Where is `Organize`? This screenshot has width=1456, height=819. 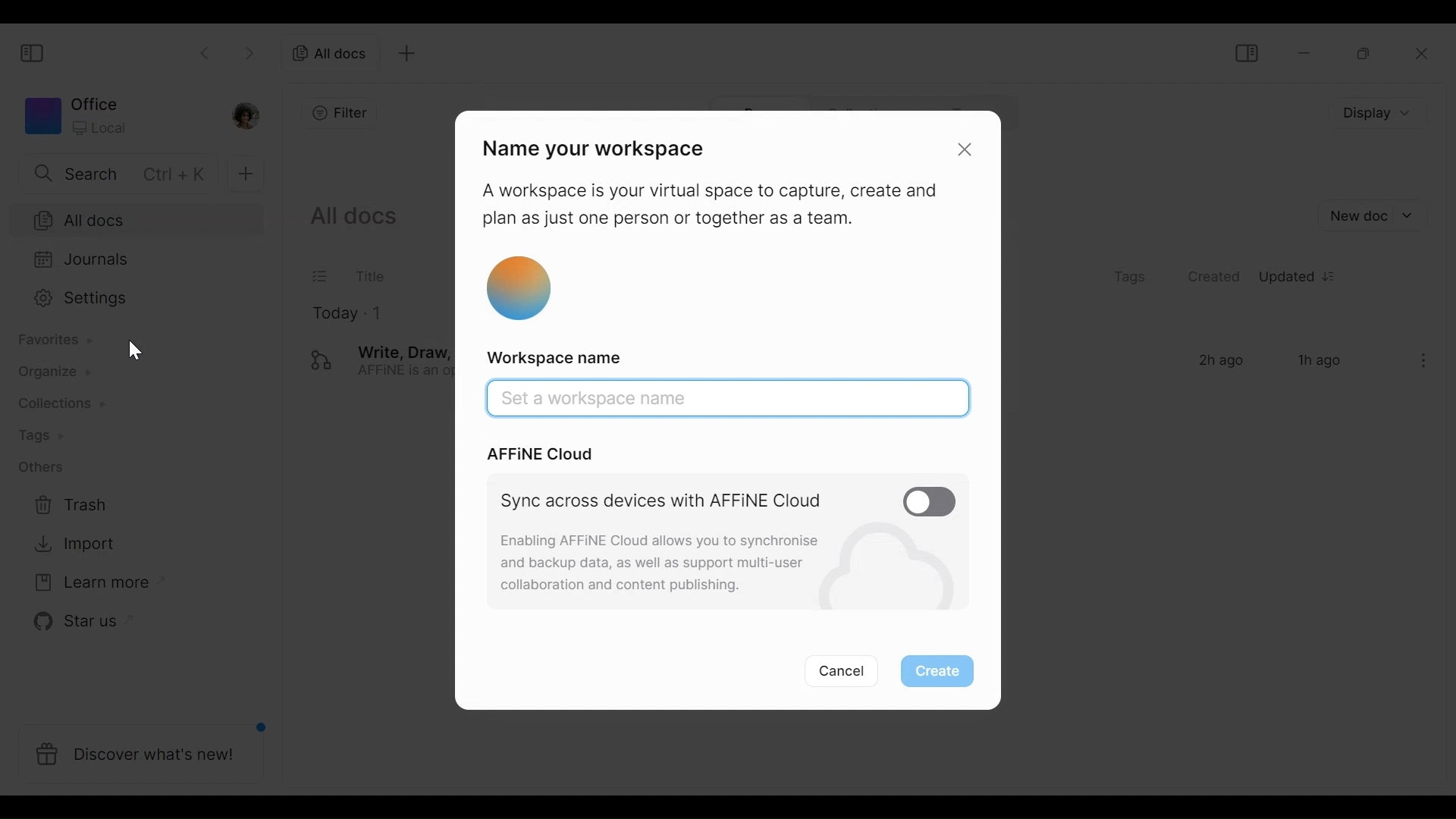
Organize is located at coordinates (48, 374).